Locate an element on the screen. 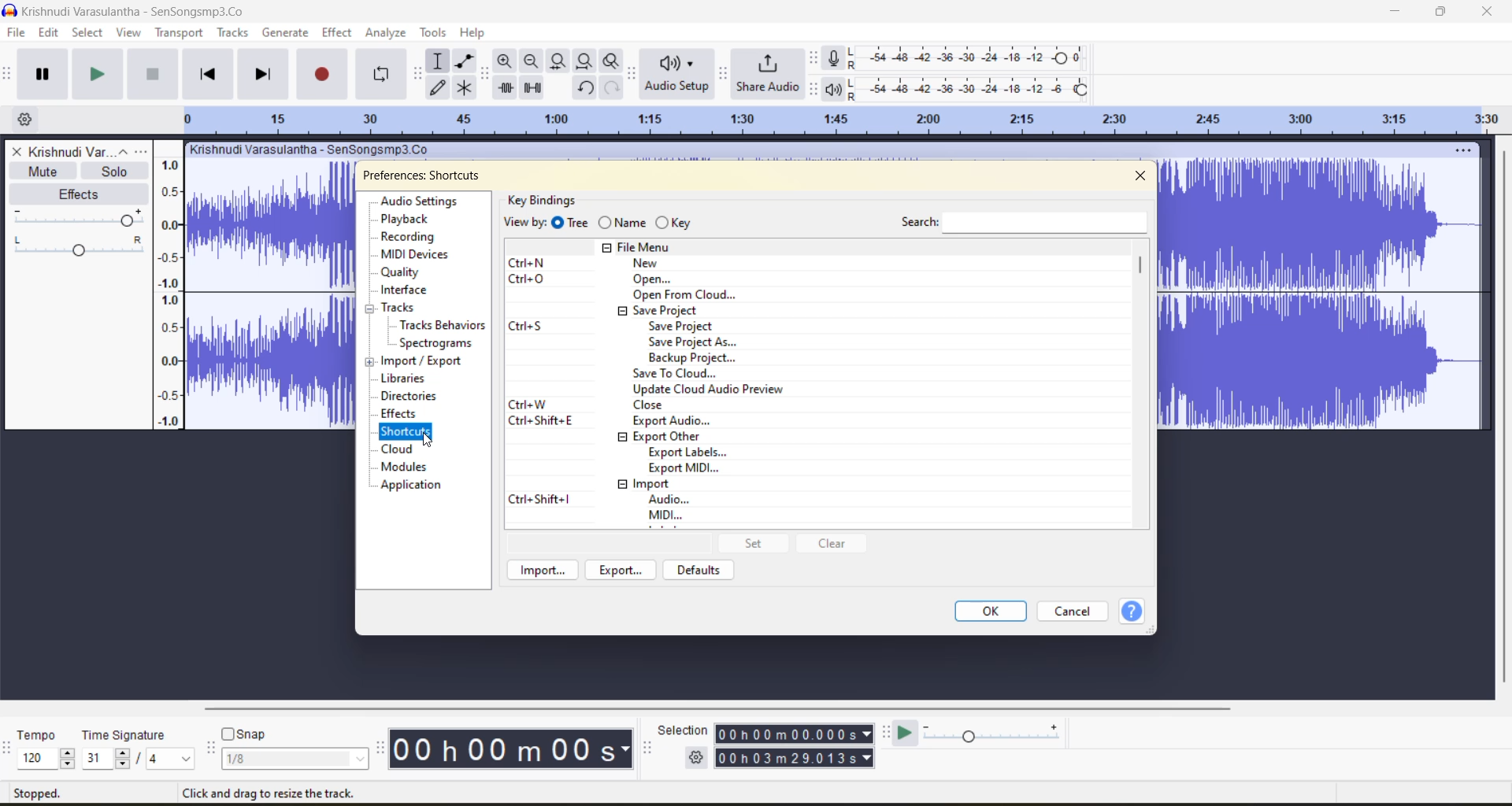 This screenshot has height=806, width=1512. preferences audio settings is located at coordinates (454, 175).